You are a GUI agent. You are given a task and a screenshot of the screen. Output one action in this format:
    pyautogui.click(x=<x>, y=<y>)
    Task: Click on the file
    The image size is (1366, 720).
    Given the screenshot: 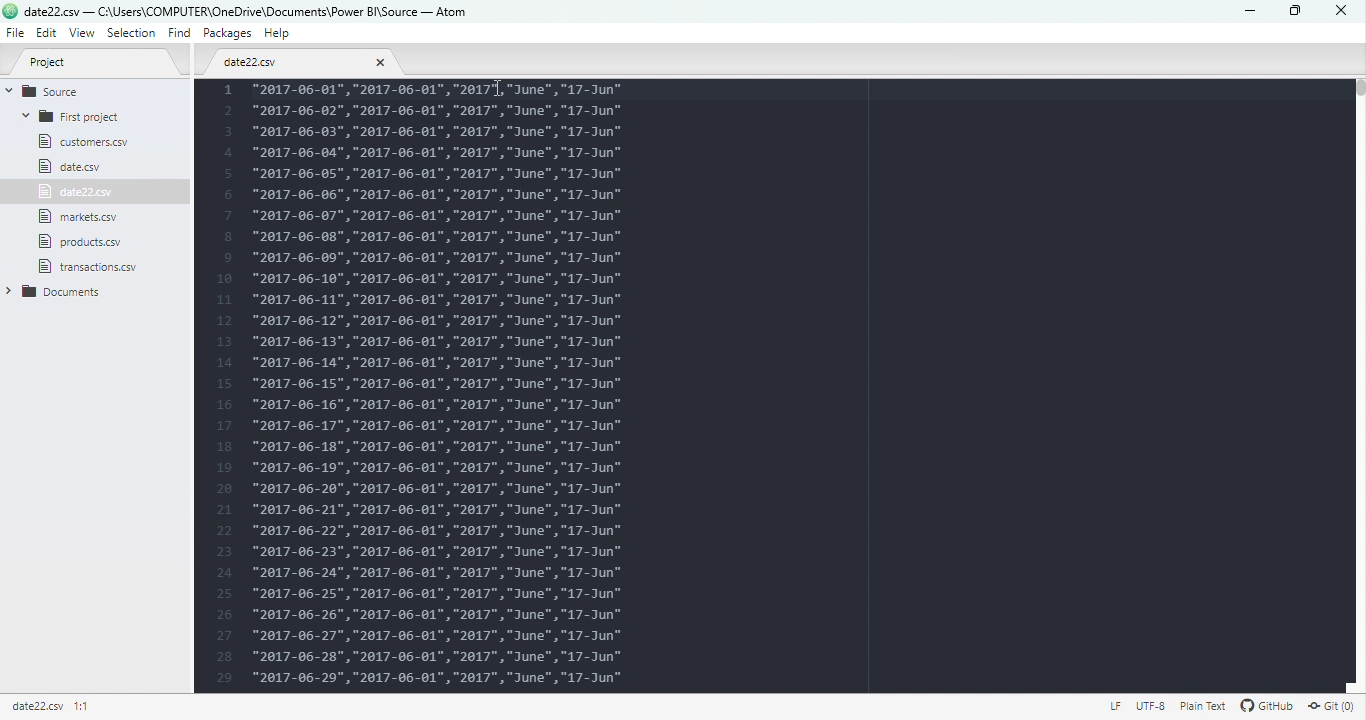 What is the action you would take?
    pyautogui.click(x=300, y=61)
    